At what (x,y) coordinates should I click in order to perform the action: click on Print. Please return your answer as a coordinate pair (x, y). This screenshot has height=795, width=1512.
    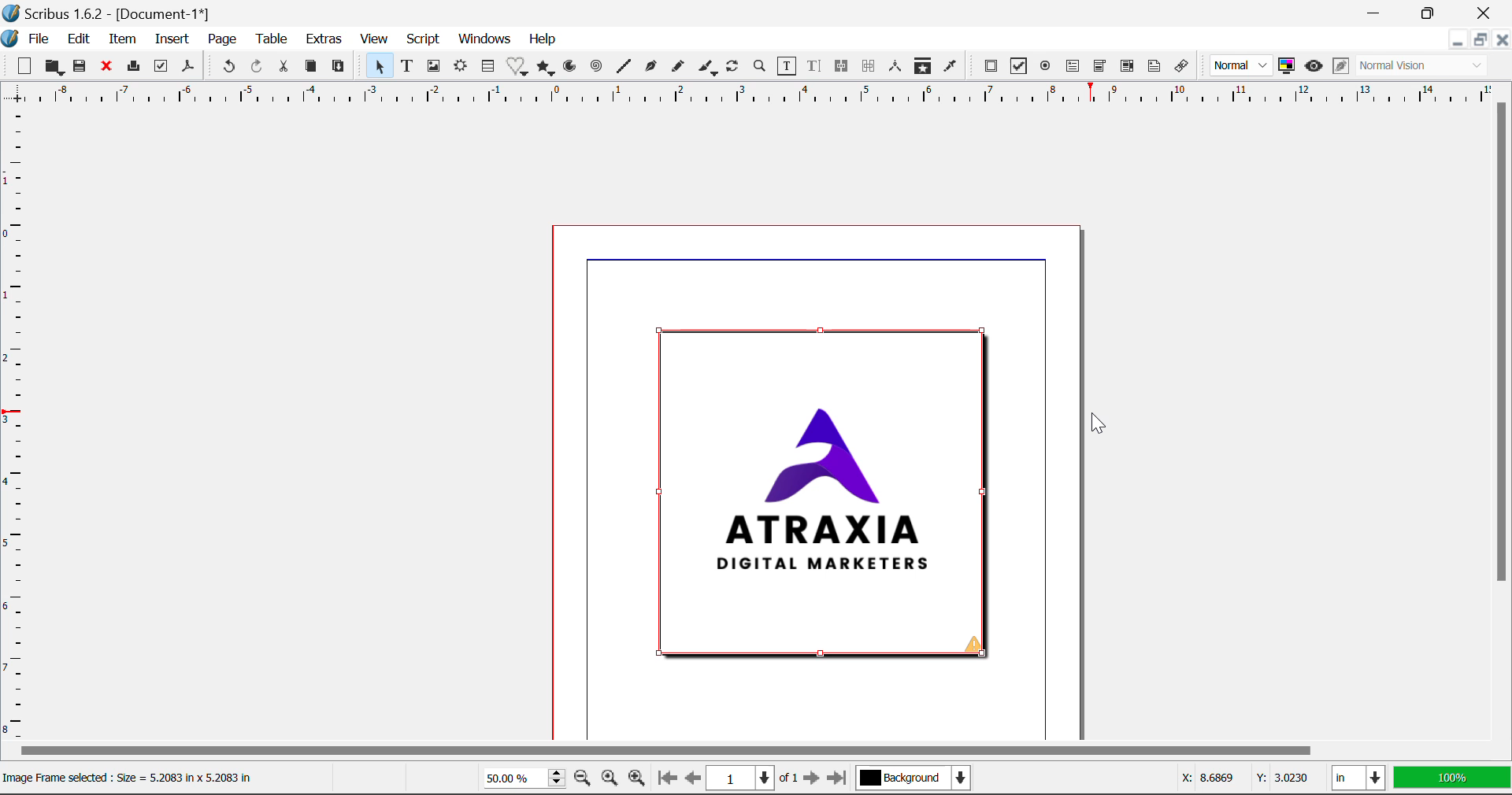
    Looking at the image, I should click on (136, 68).